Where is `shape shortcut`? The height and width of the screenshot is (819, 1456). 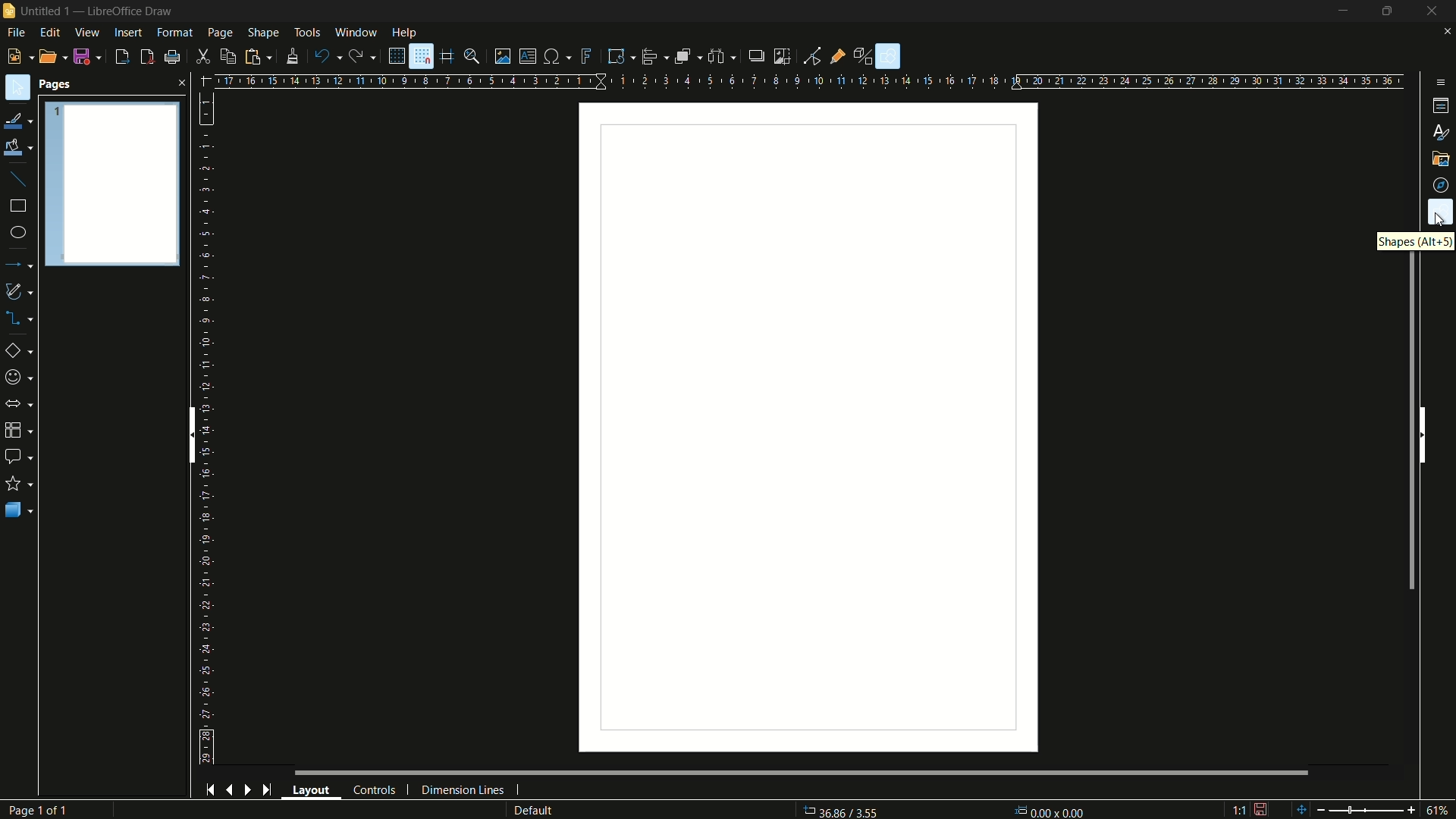
shape shortcut is located at coordinates (1417, 241).